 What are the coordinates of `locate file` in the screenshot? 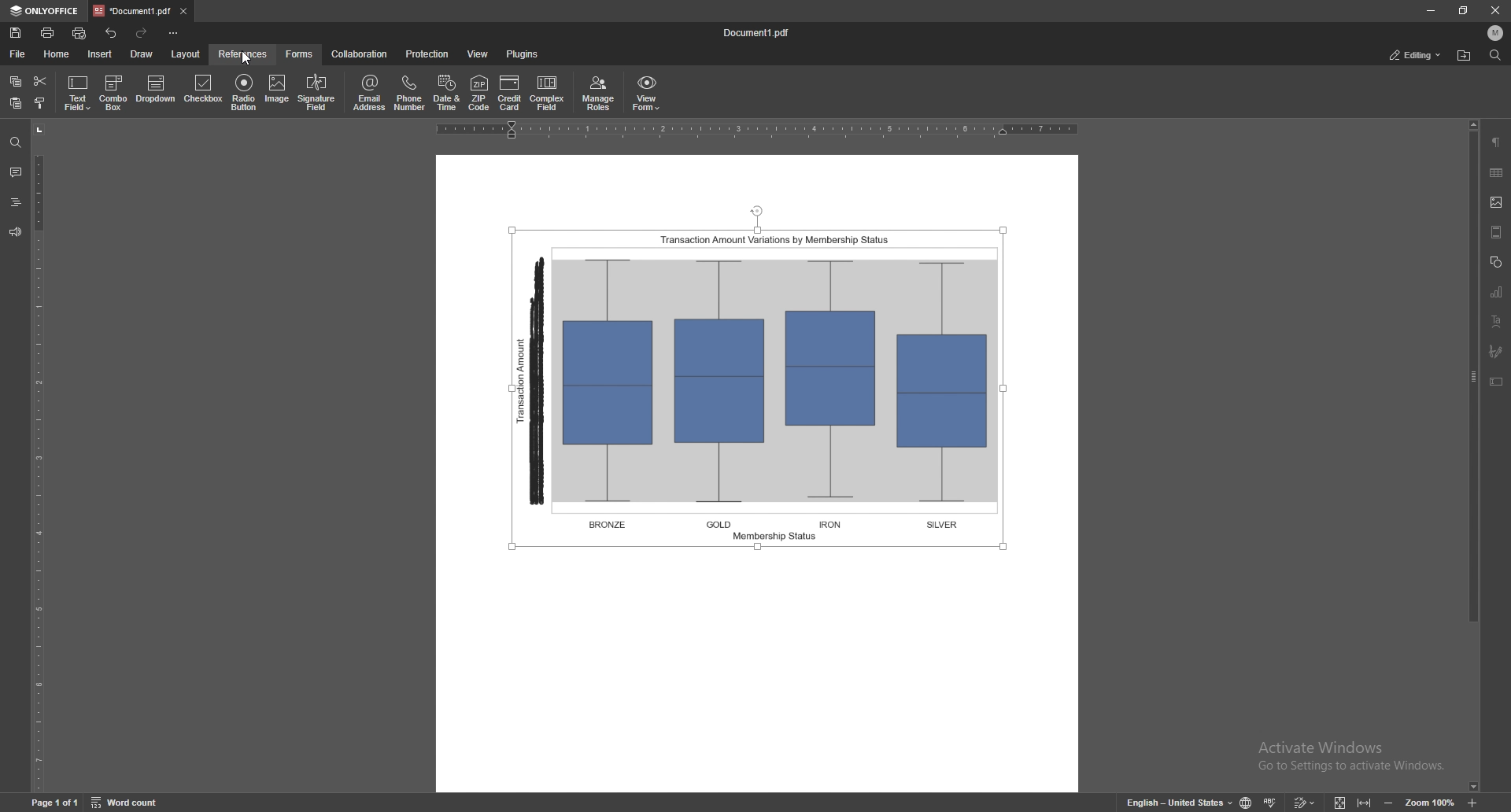 It's located at (1465, 57).